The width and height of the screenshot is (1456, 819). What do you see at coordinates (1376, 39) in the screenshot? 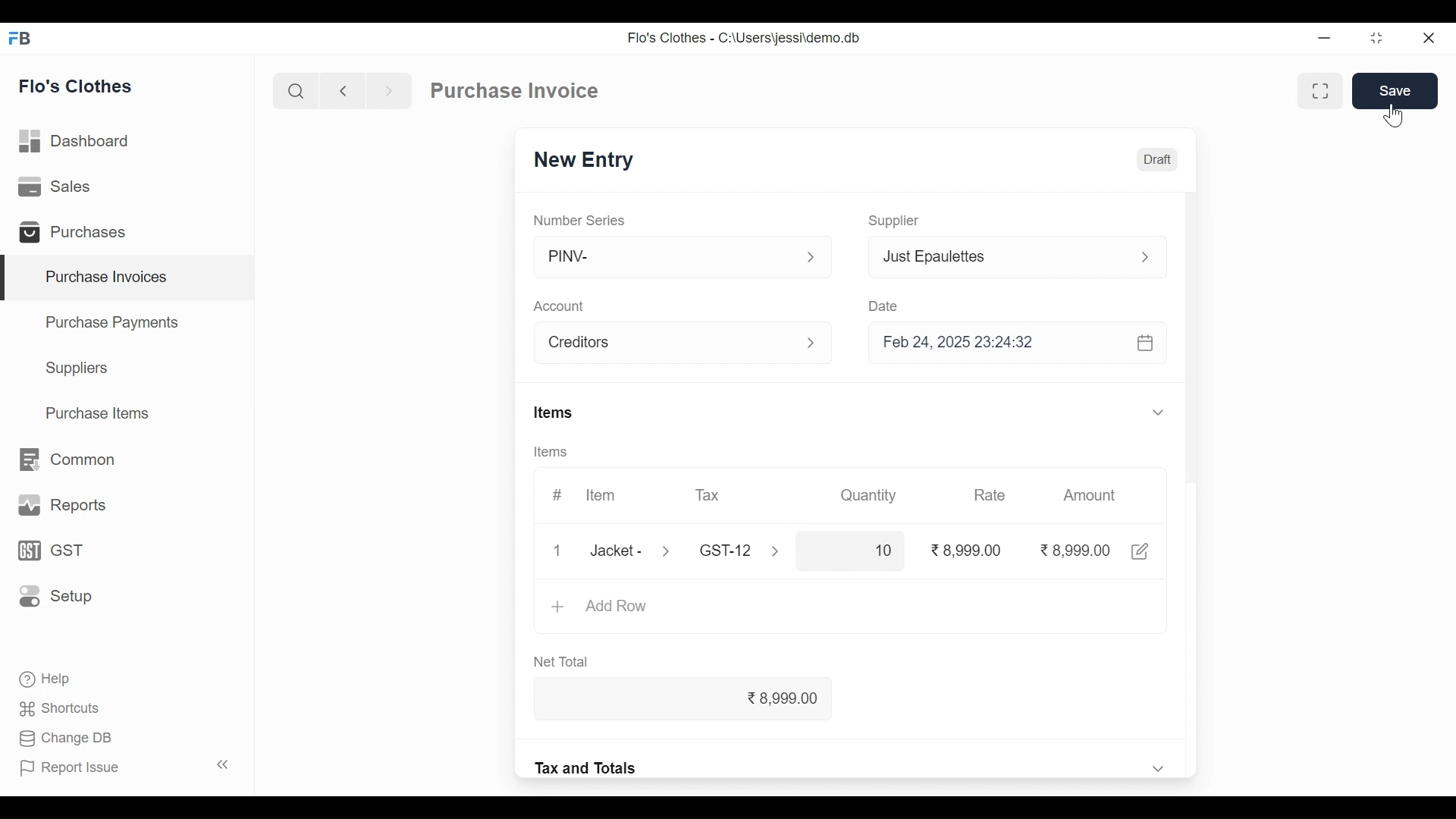
I see `Restore` at bounding box center [1376, 39].